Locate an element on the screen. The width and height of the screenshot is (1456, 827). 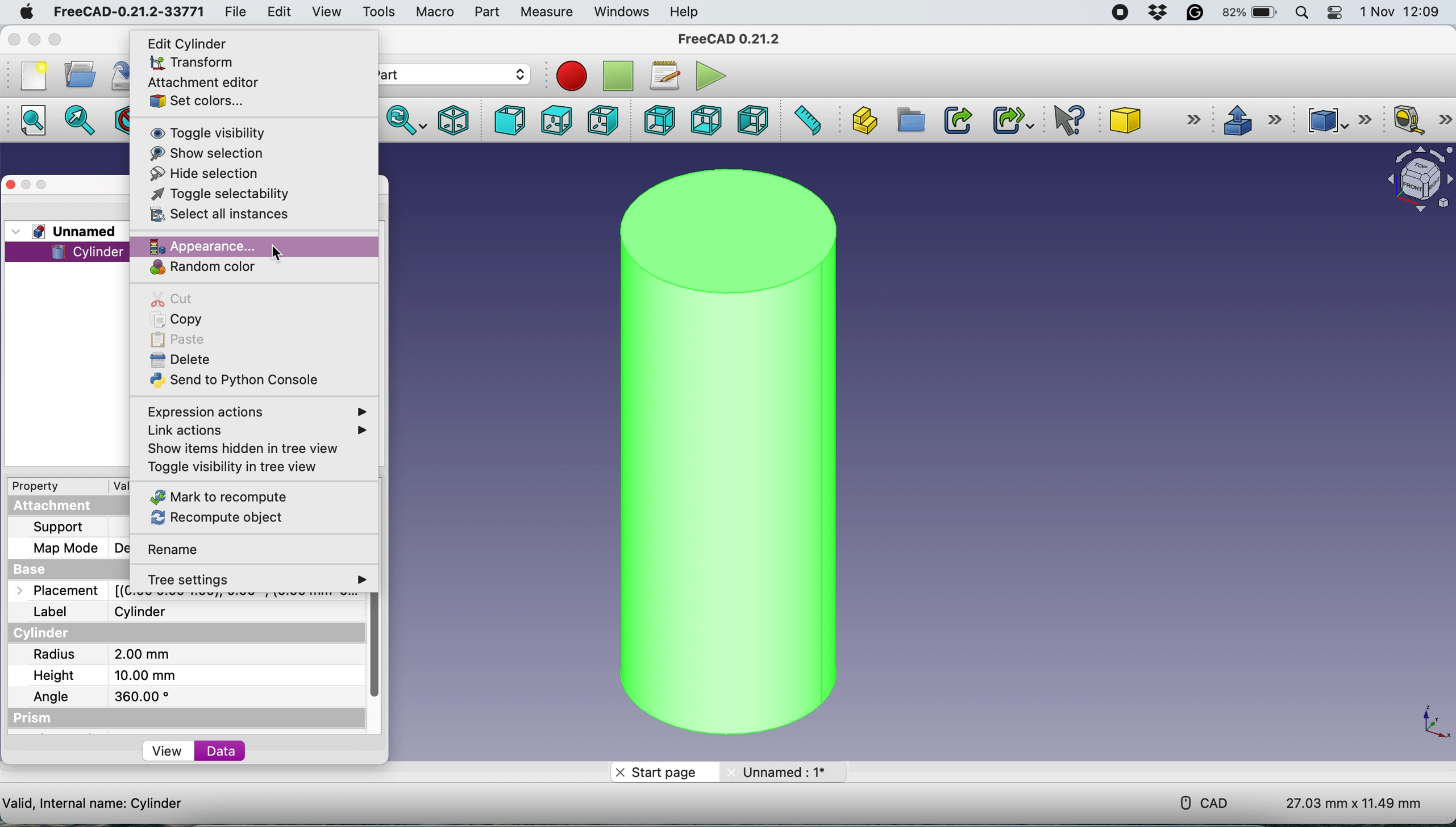
angle is located at coordinates (98, 695).